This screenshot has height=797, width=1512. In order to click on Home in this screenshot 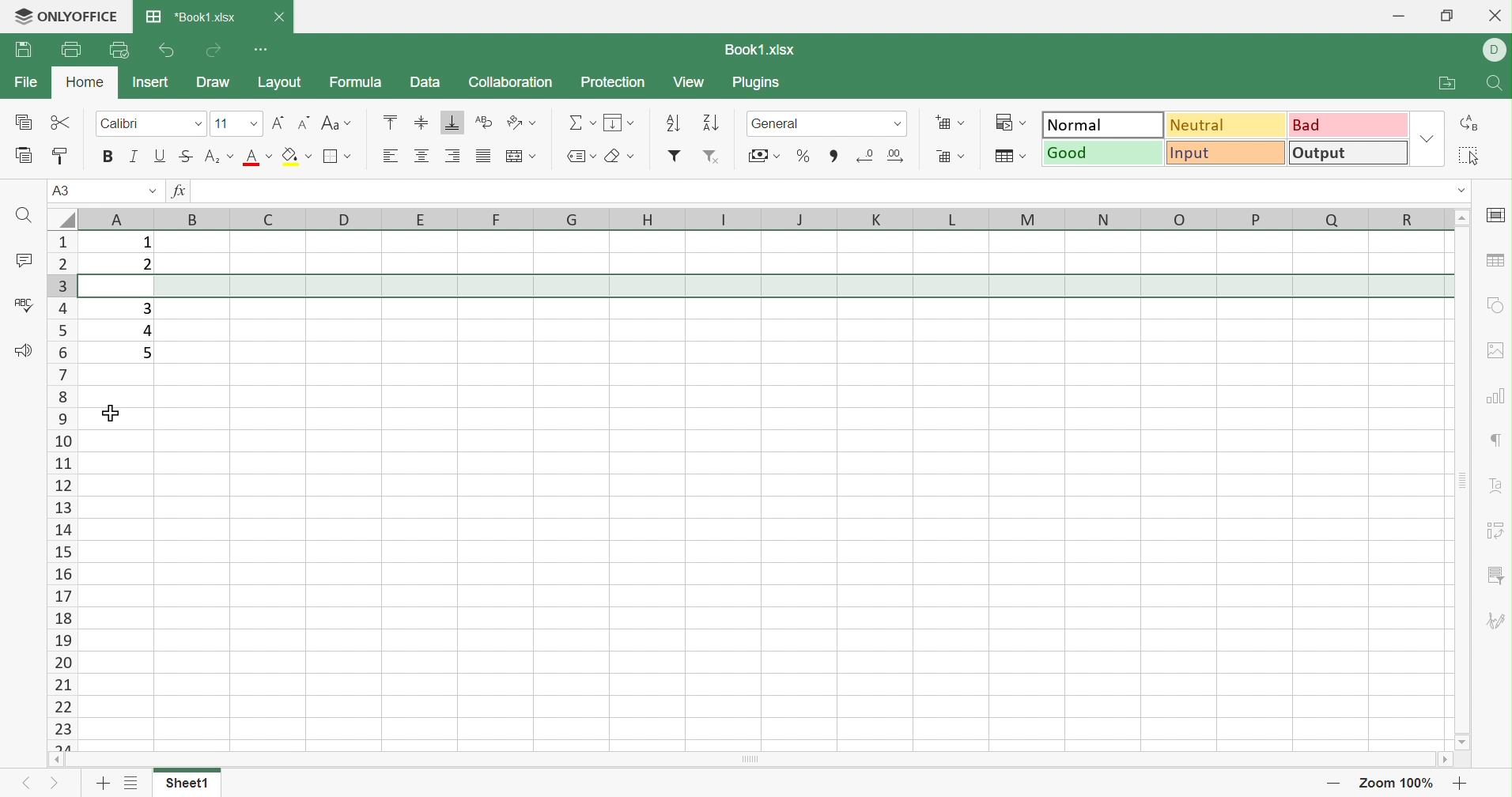, I will do `click(83, 81)`.